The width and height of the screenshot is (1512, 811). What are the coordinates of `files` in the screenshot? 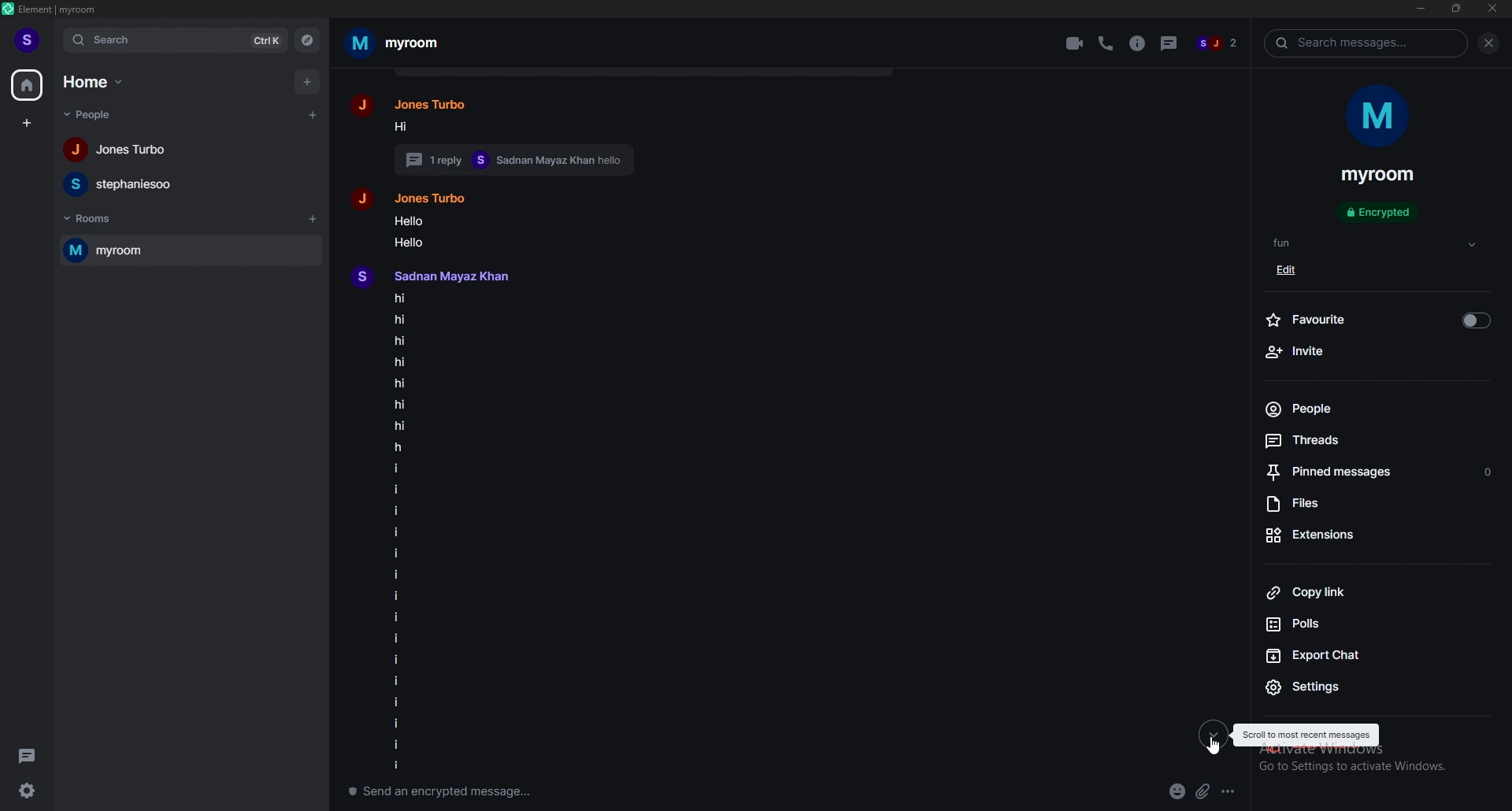 It's located at (1362, 505).